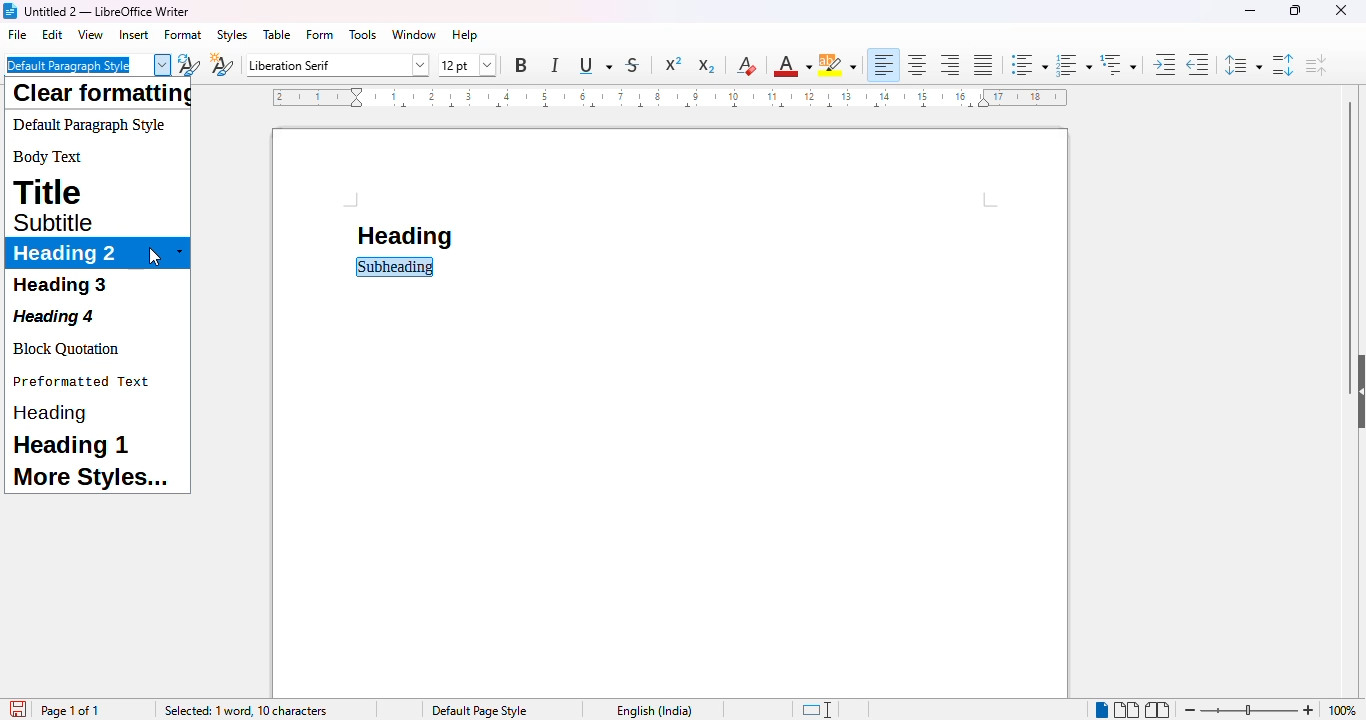 This screenshot has width=1366, height=720. Describe the element at coordinates (95, 477) in the screenshot. I see `more styles` at that location.